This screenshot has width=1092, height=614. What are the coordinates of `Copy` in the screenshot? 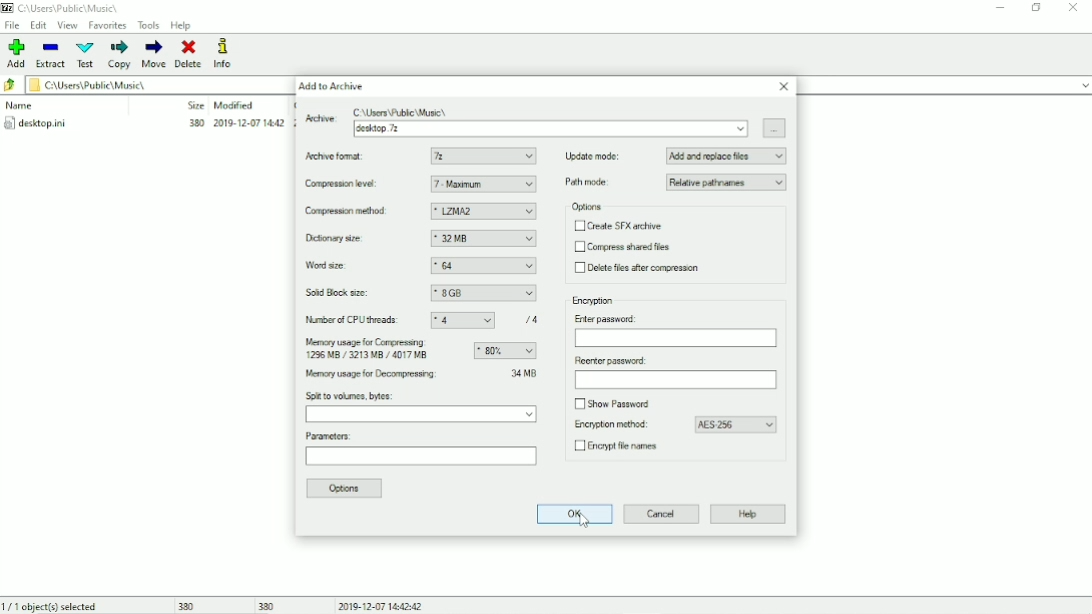 It's located at (121, 55).